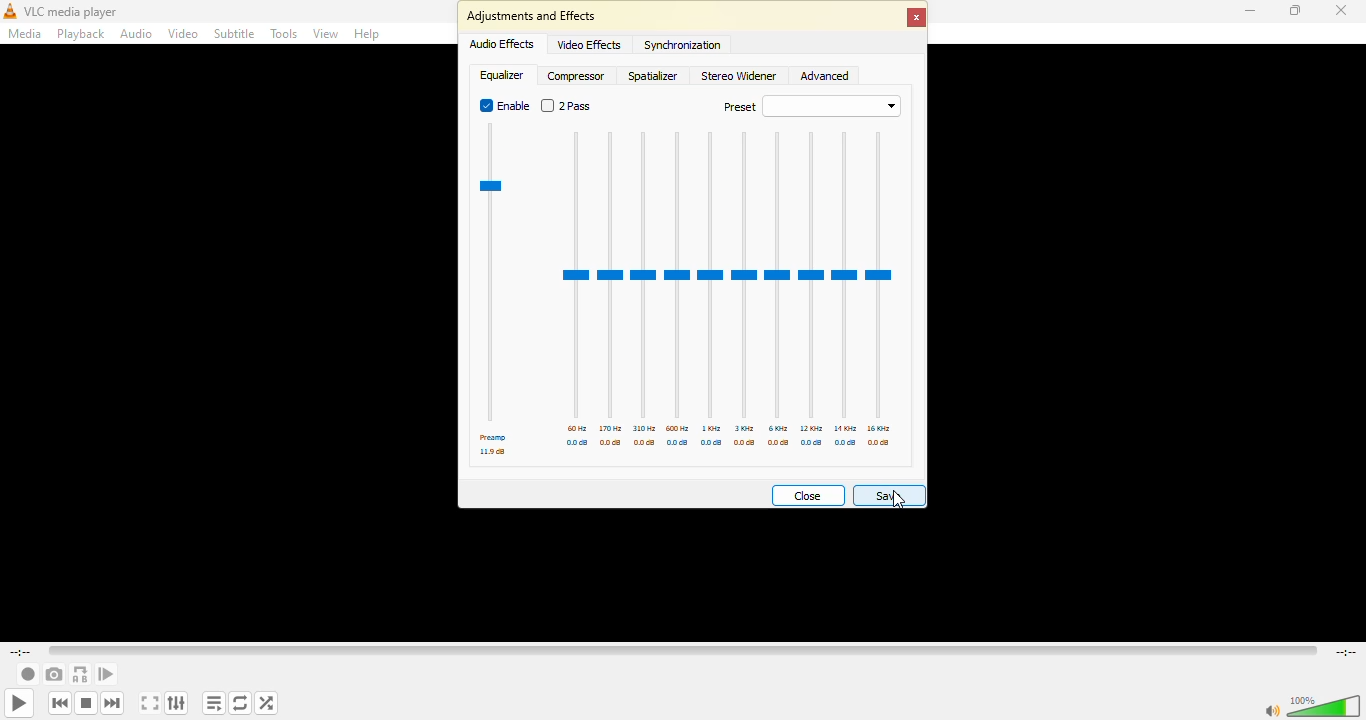 The width and height of the screenshot is (1366, 720). Describe the element at coordinates (829, 77) in the screenshot. I see `advanced` at that location.